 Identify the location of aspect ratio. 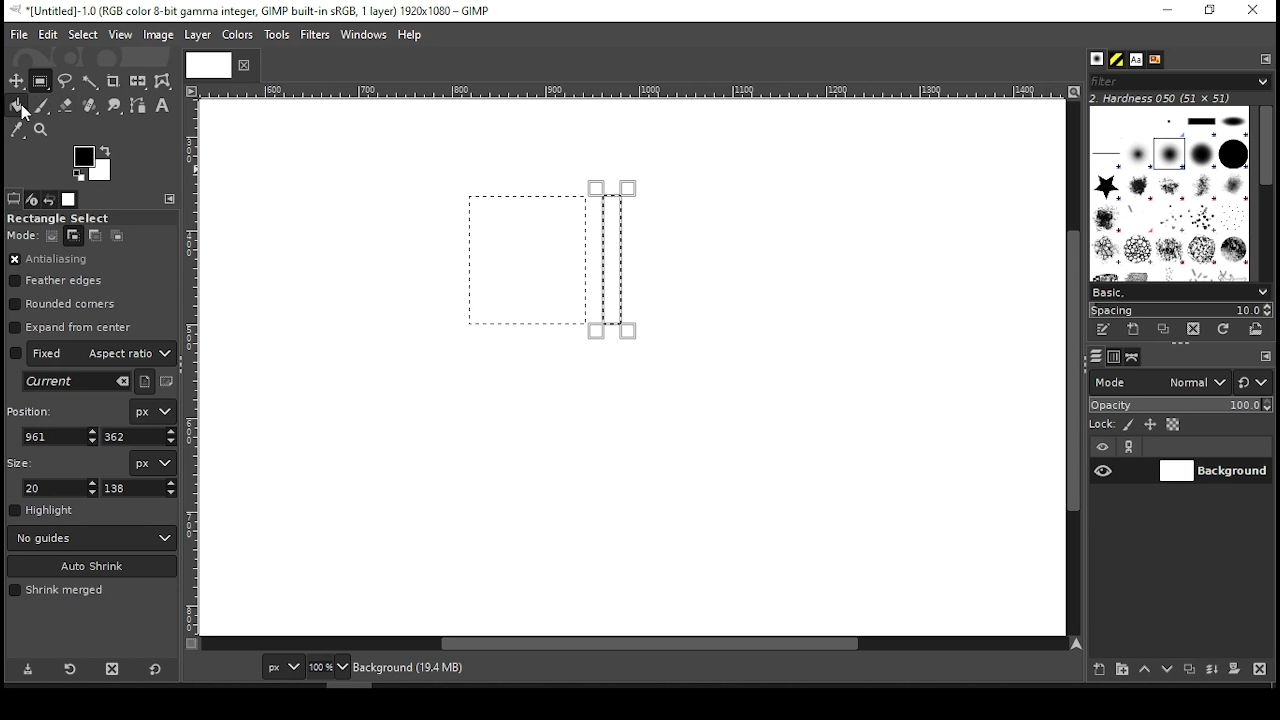
(93, 352).